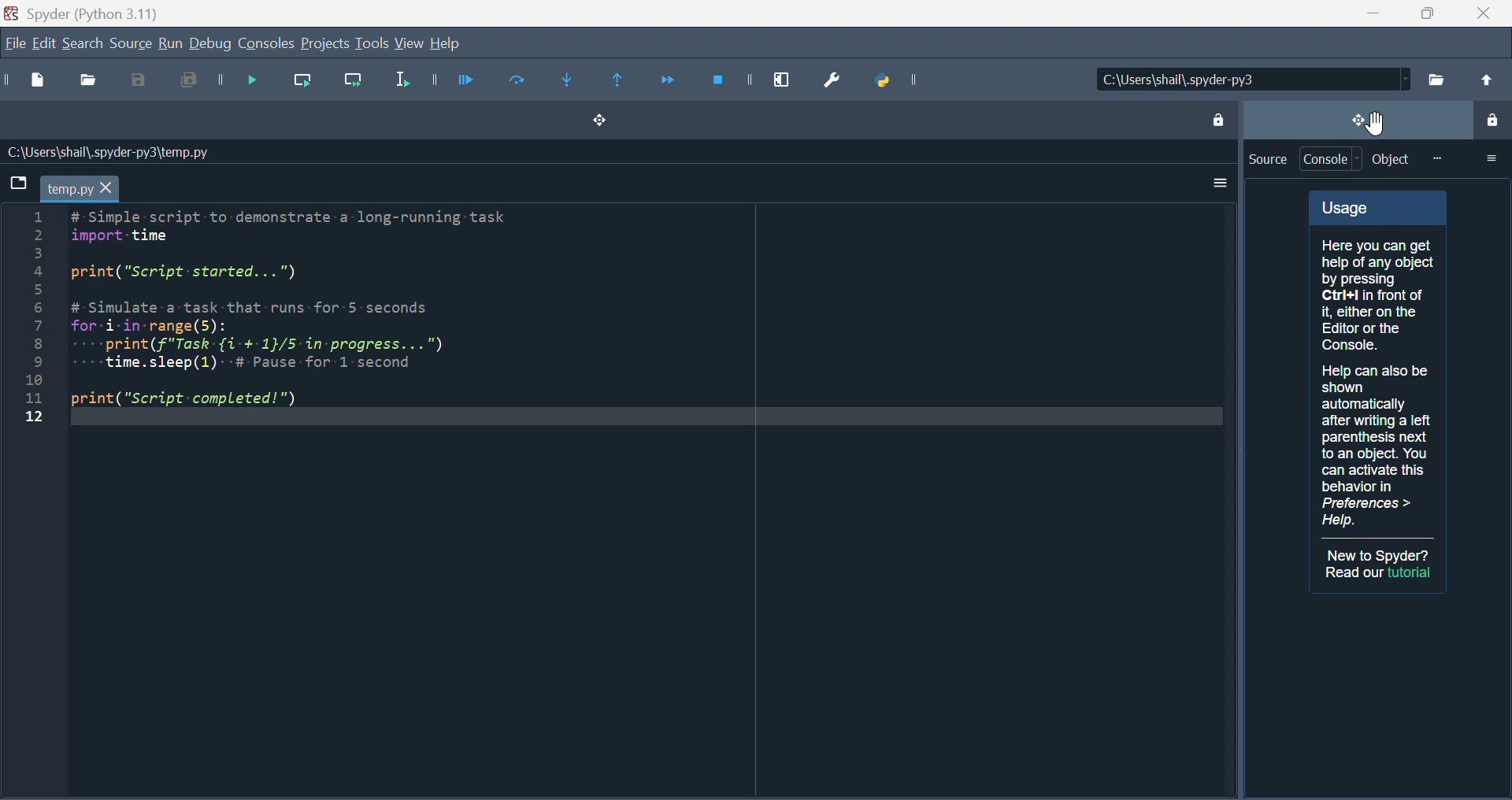  Describe the element at coordinates (1354, 572) in the screenshot. I see `Read our` at that location.